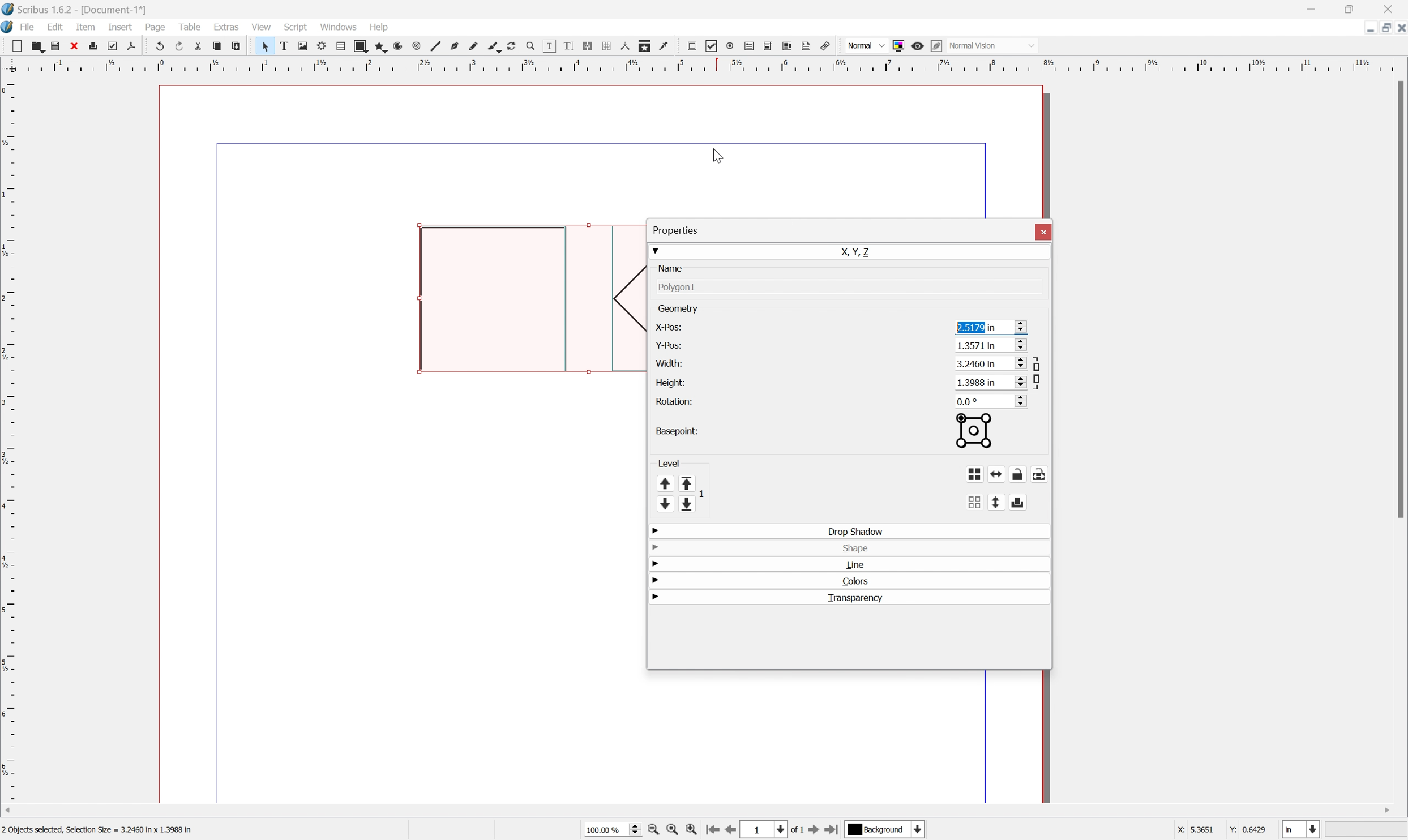  I want to click on pdf push button, so click(691, 46).